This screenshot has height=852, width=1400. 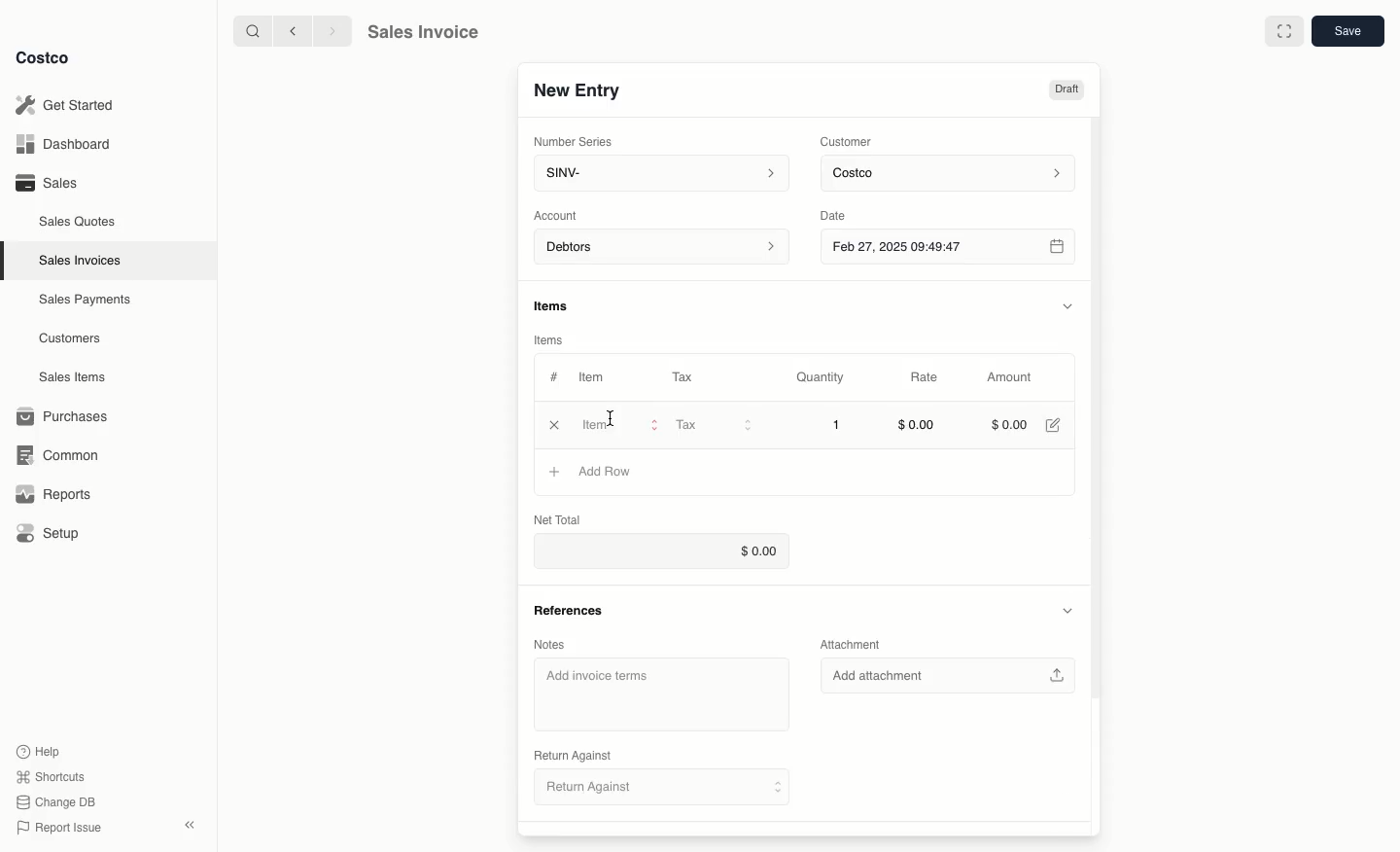 What do you see at coordinates (1056, 424) in the screenshot?
I see `Edit` at bounding box center [1056, 424].